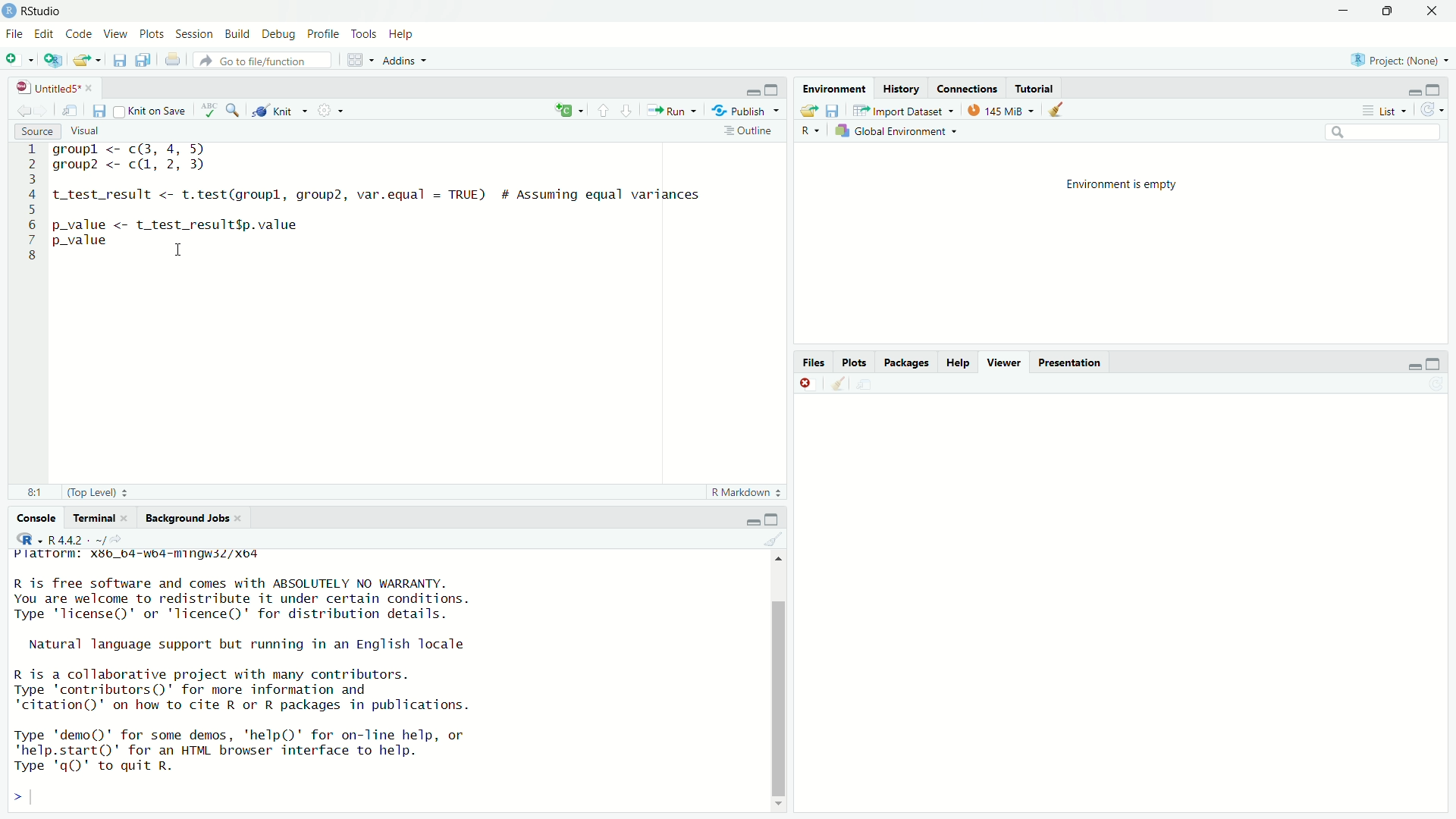  What do you see at coordinates (1436, 361) in the screenshot?
I see `maximise` at bounding box center [1436, 361].